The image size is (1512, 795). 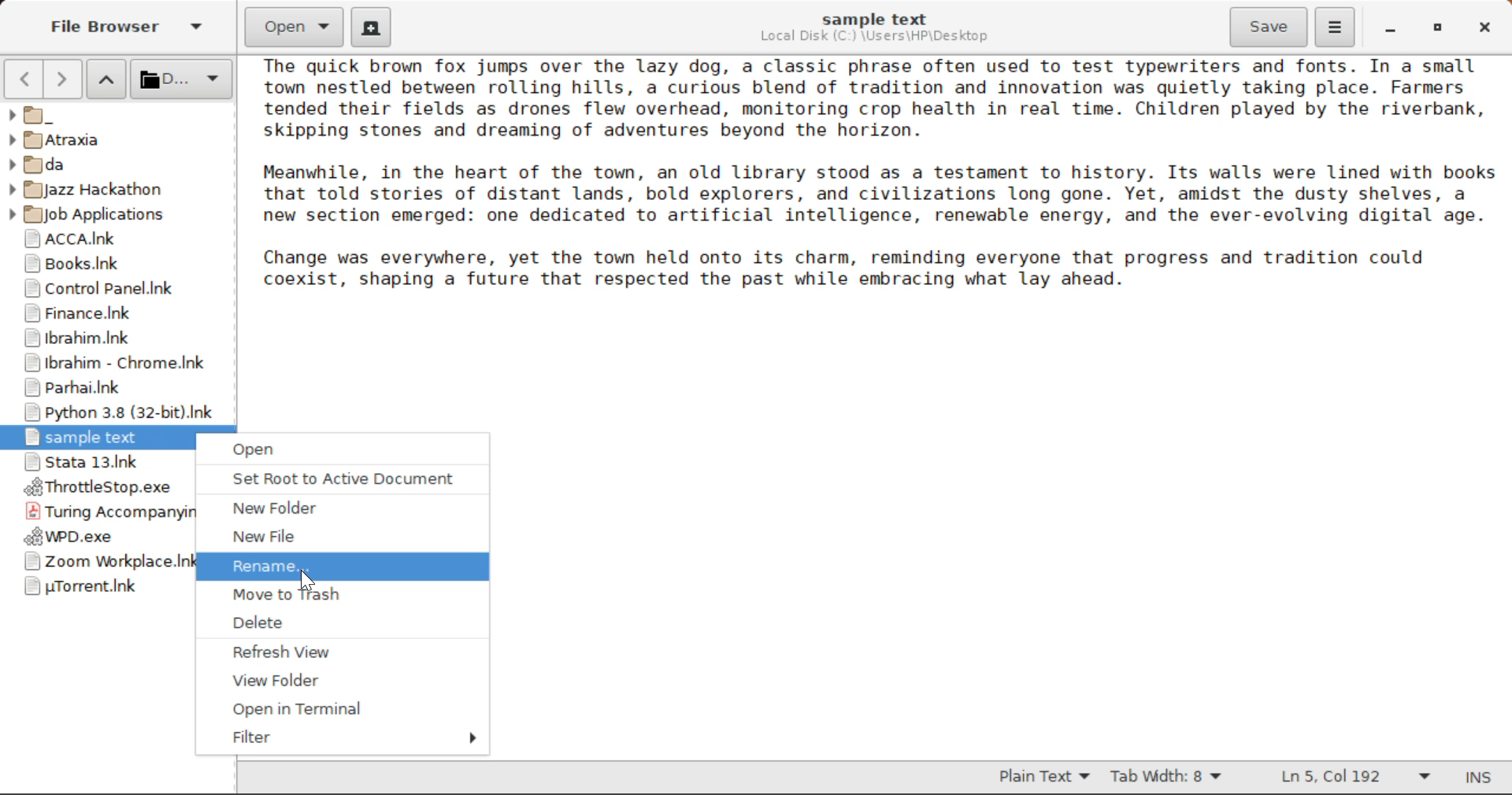 I want to click on File Location, so click(x=877, y=38).